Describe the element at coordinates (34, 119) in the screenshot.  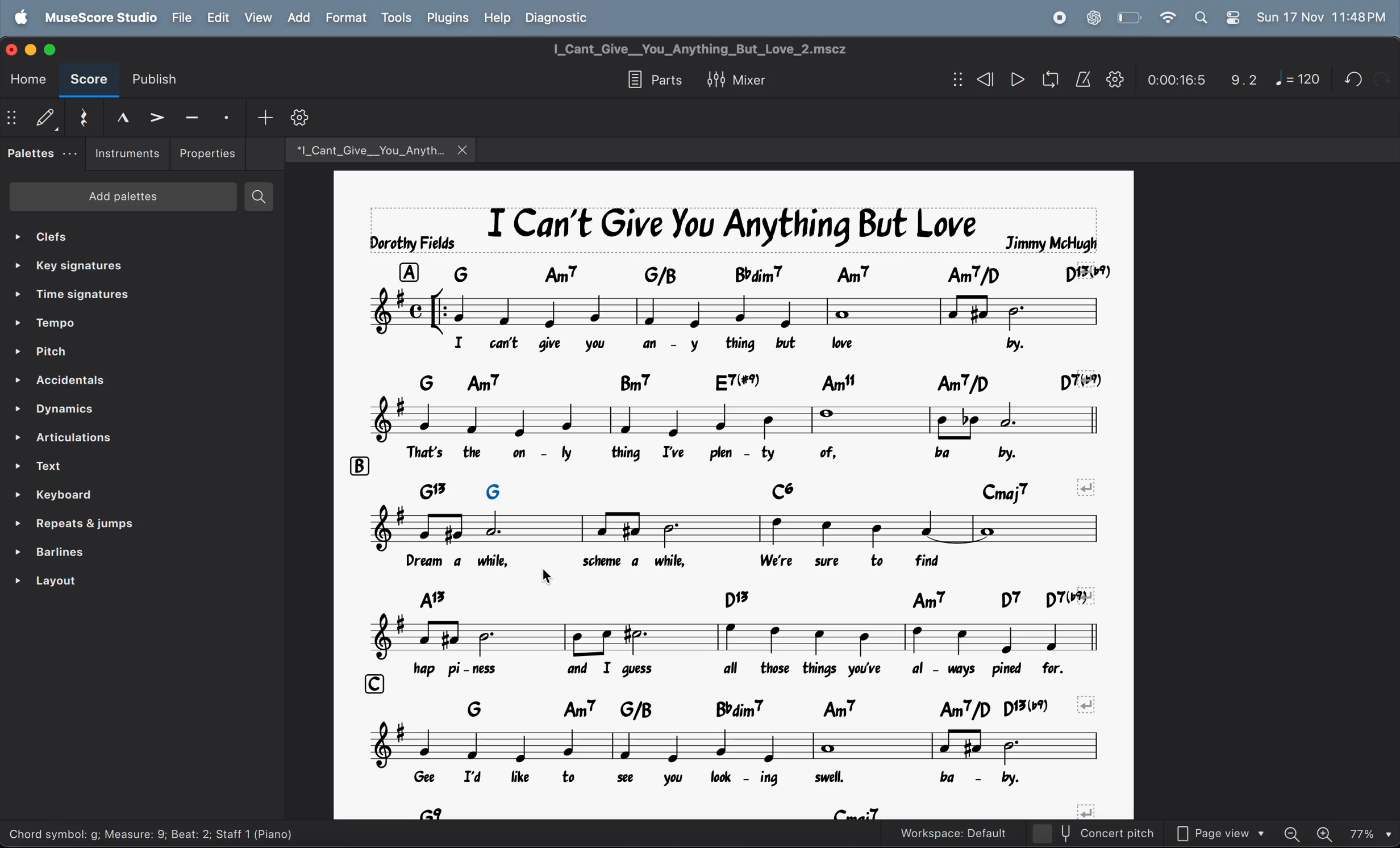
I see `default` at that location.